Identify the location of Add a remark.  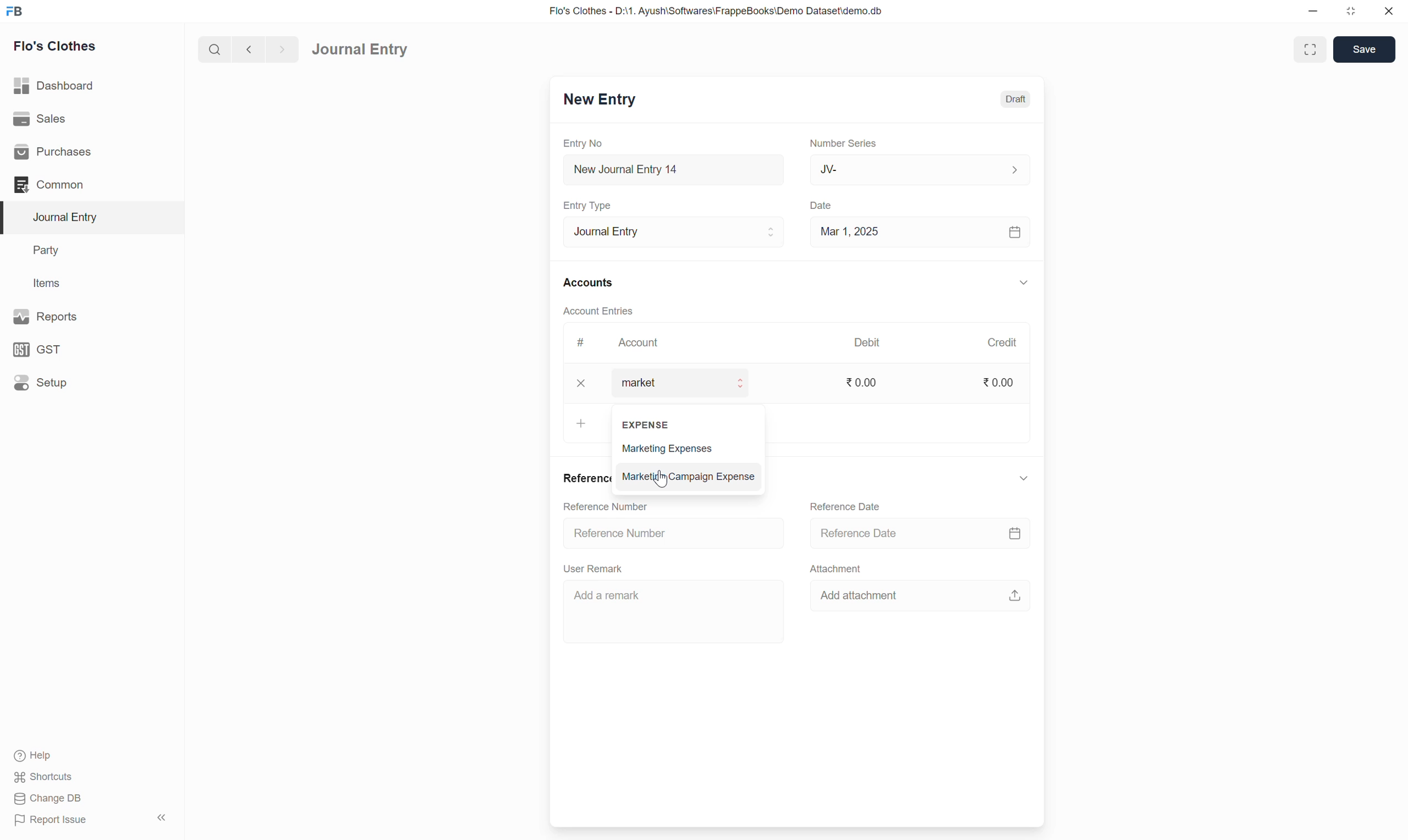
(668, 614).